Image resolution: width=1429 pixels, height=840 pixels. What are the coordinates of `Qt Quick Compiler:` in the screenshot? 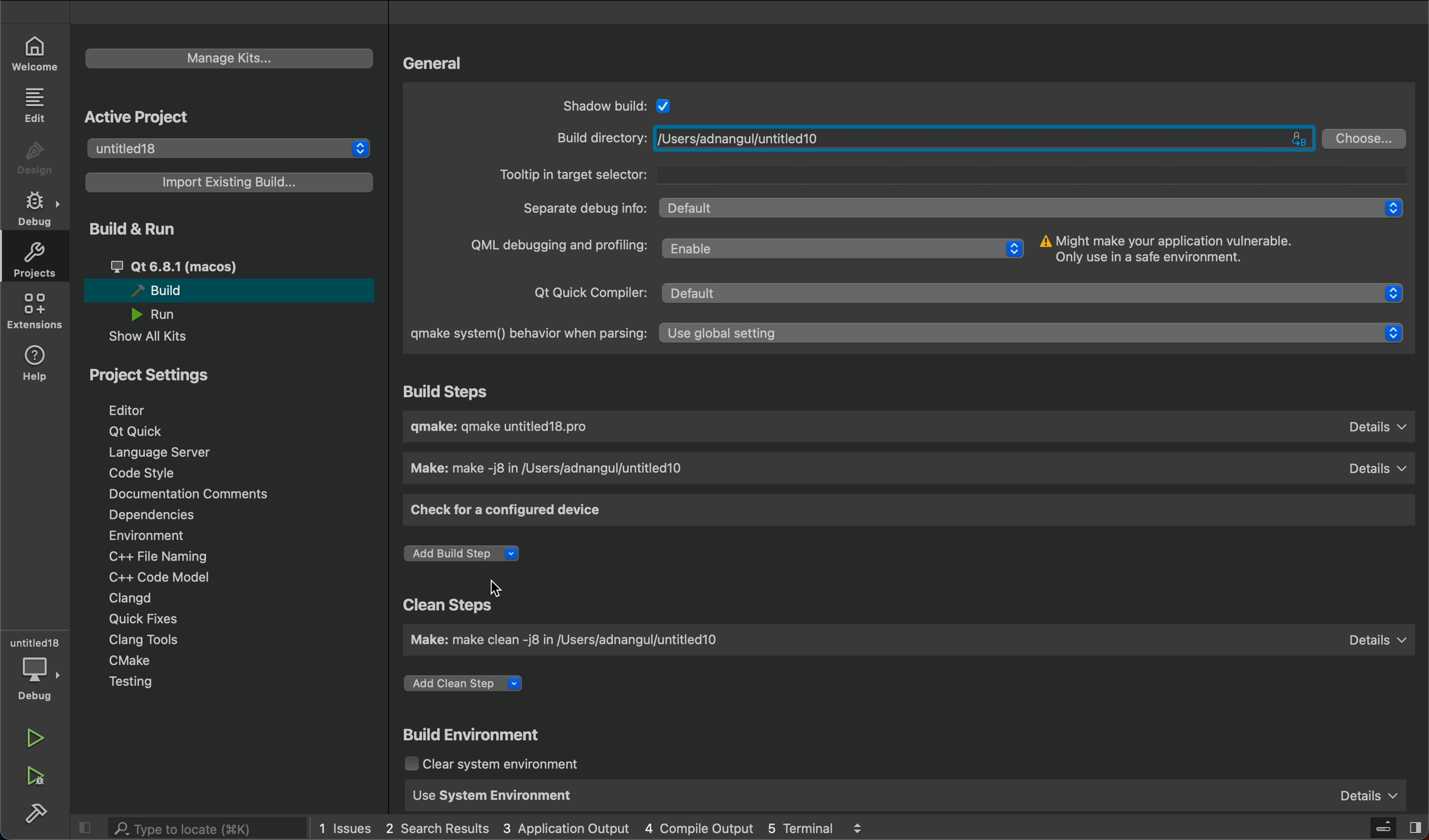 It's located at (586, 291).